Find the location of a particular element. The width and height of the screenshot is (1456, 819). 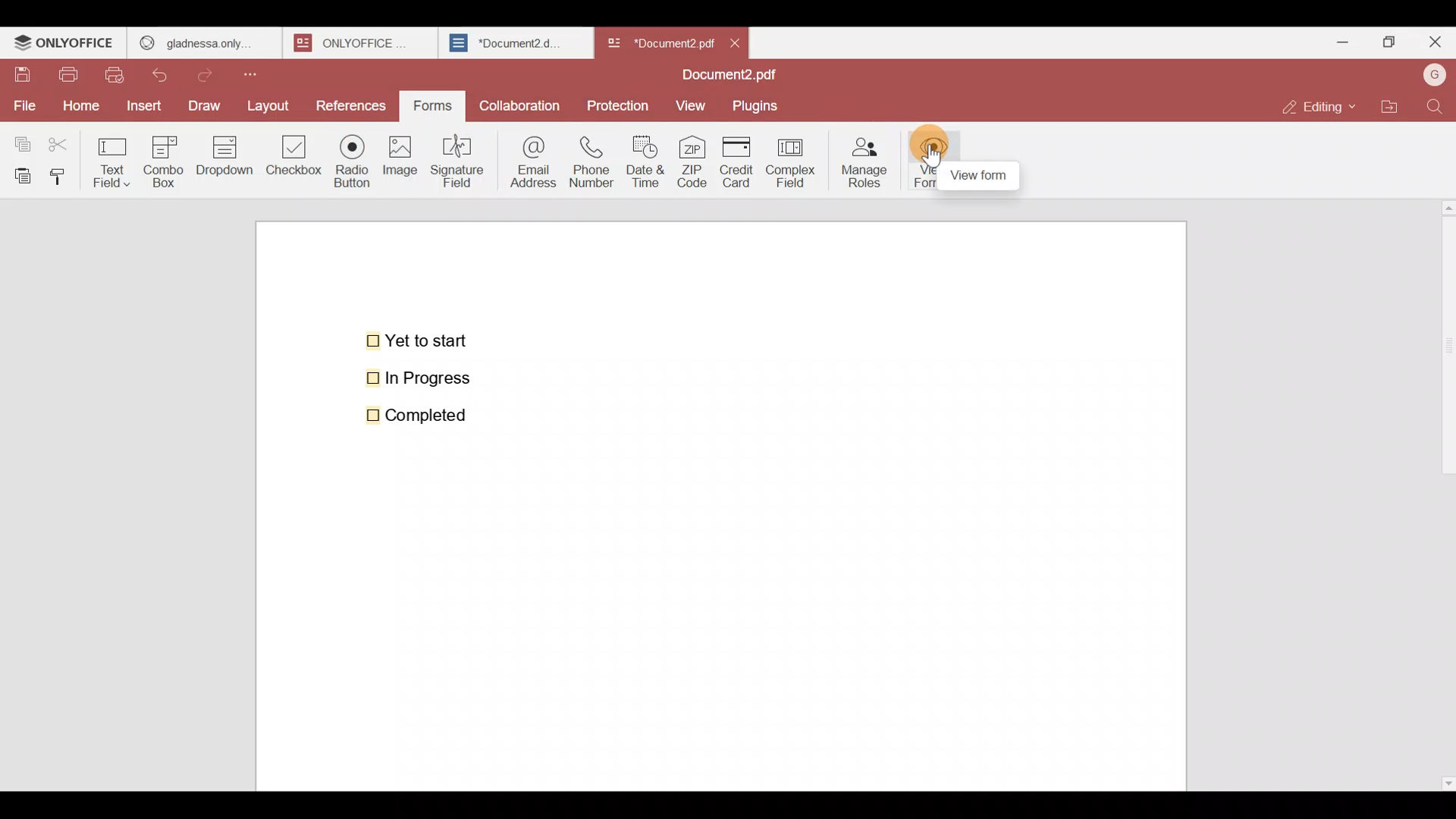

Manage roles is located at coordinates (864, 158).